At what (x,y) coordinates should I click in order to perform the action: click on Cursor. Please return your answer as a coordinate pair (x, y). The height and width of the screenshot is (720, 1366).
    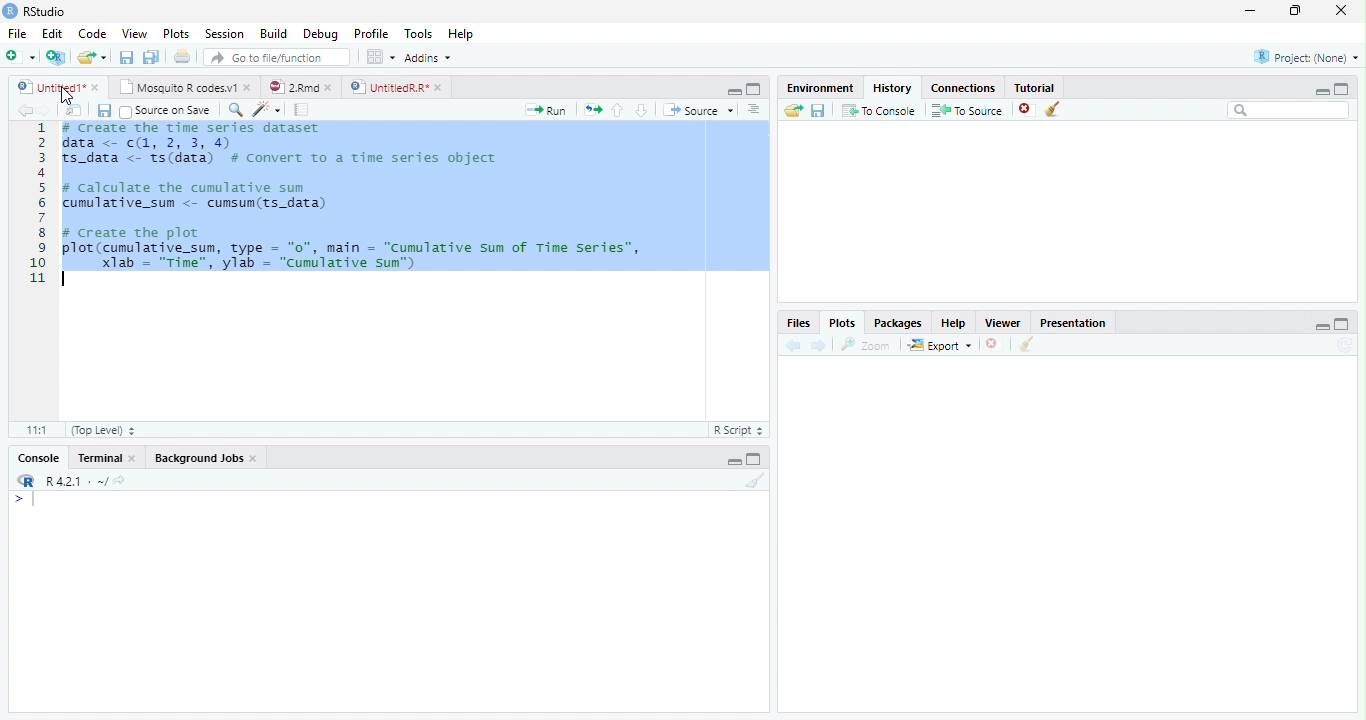
    Looking at the image, I should click on (68, 97).